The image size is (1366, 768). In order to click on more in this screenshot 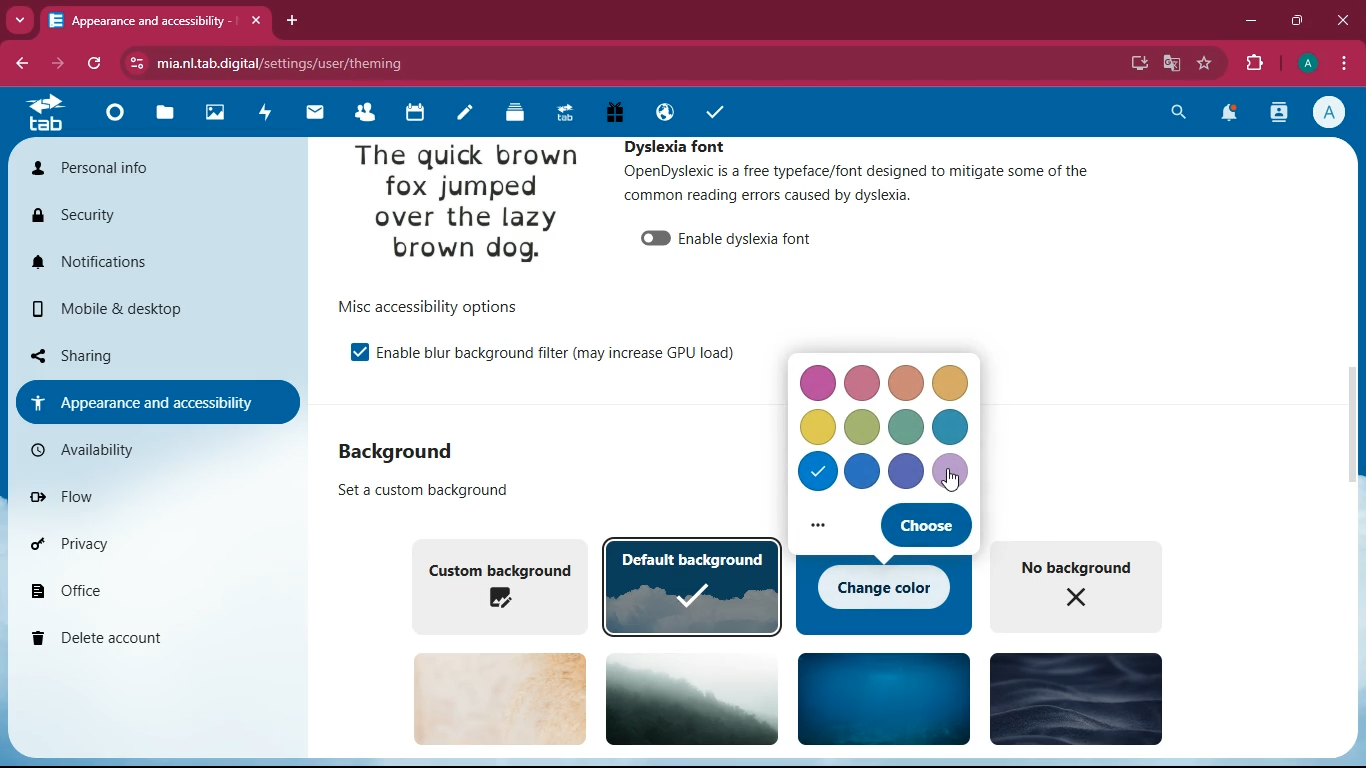, I will do `click(20, 19)`.